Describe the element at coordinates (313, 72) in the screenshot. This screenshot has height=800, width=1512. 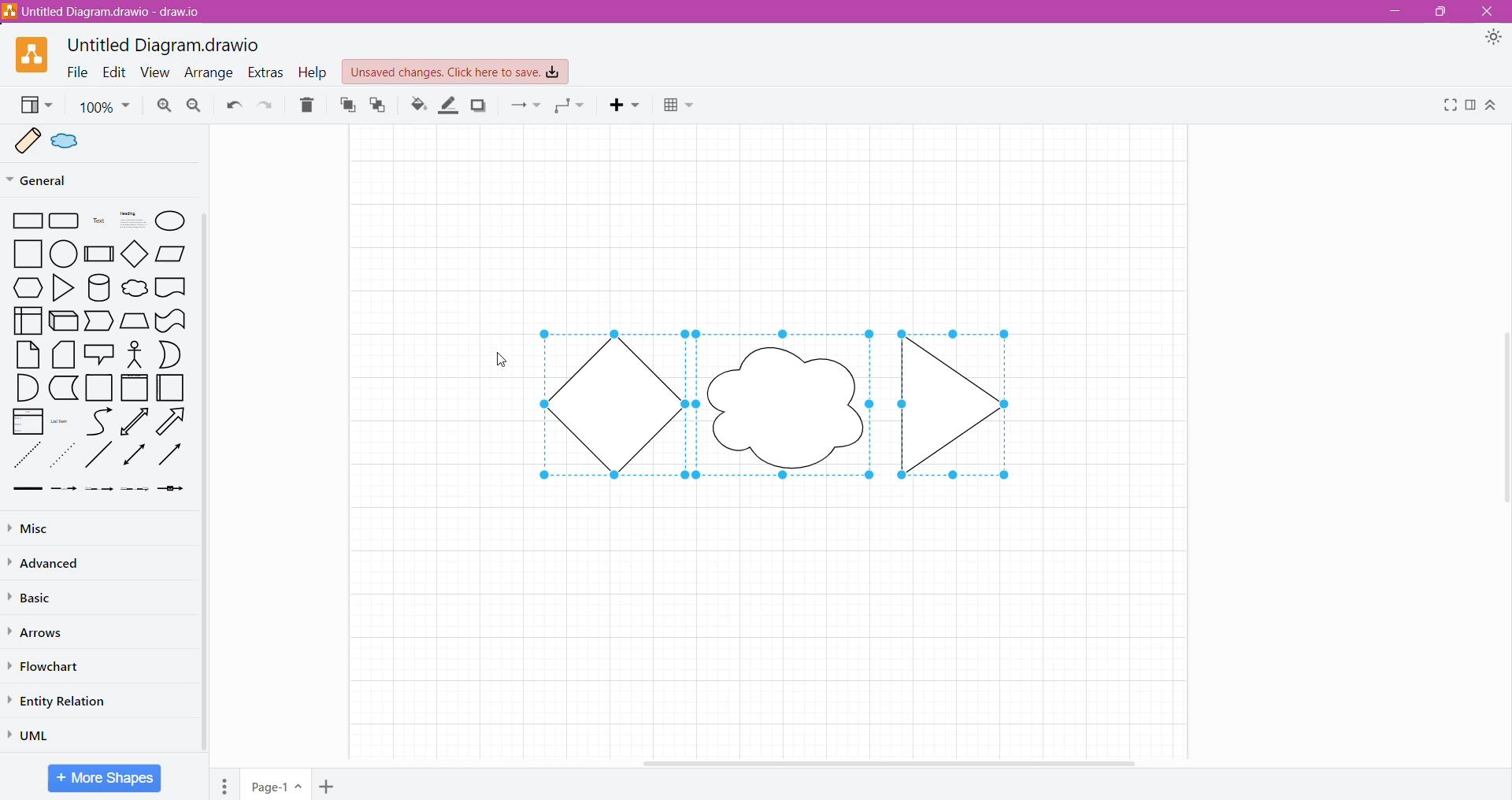
I see `Help` at that location.